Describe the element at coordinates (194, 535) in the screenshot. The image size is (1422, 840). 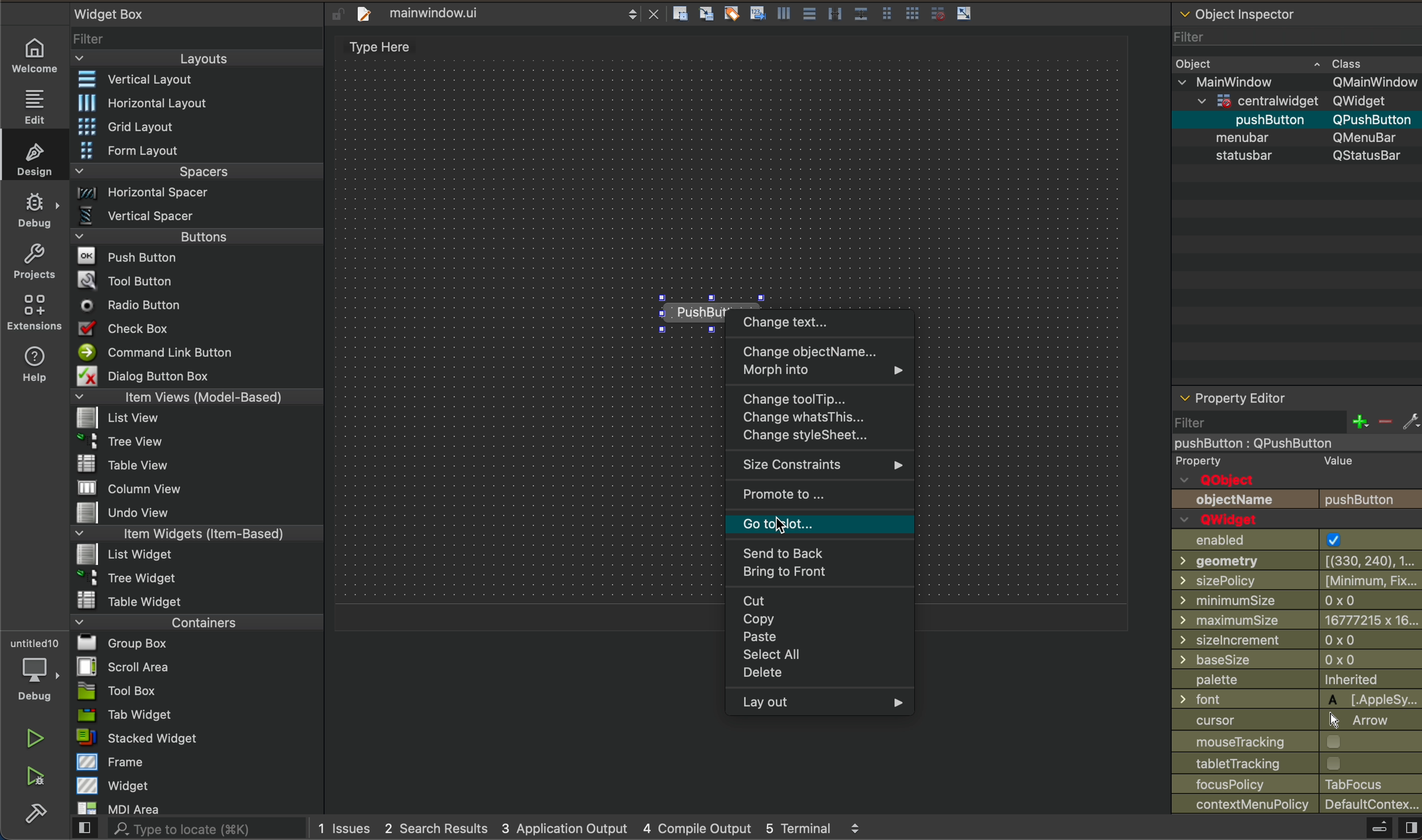
I see `item widgets` at that location.